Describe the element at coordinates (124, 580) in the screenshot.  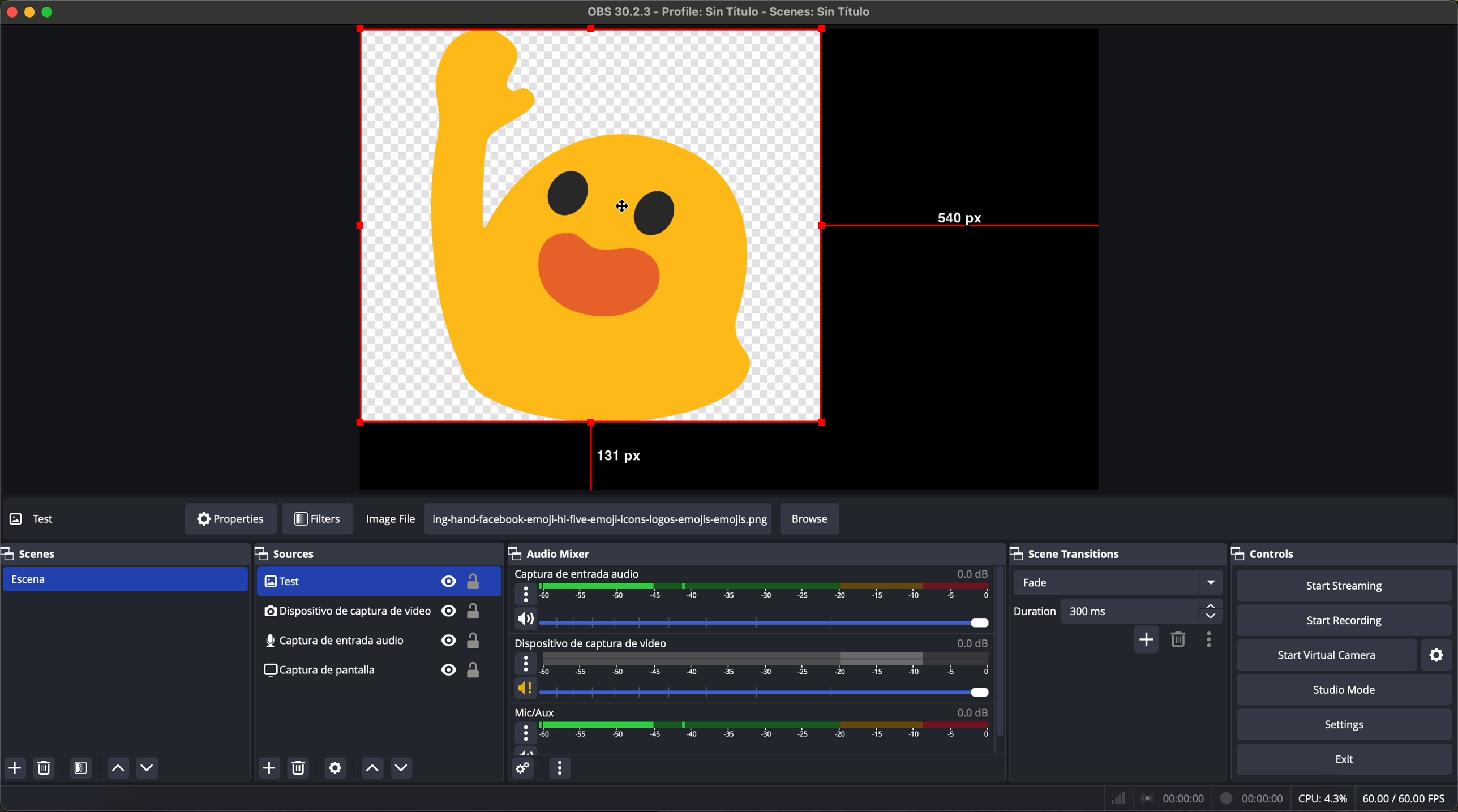
I see `scene` at that location.